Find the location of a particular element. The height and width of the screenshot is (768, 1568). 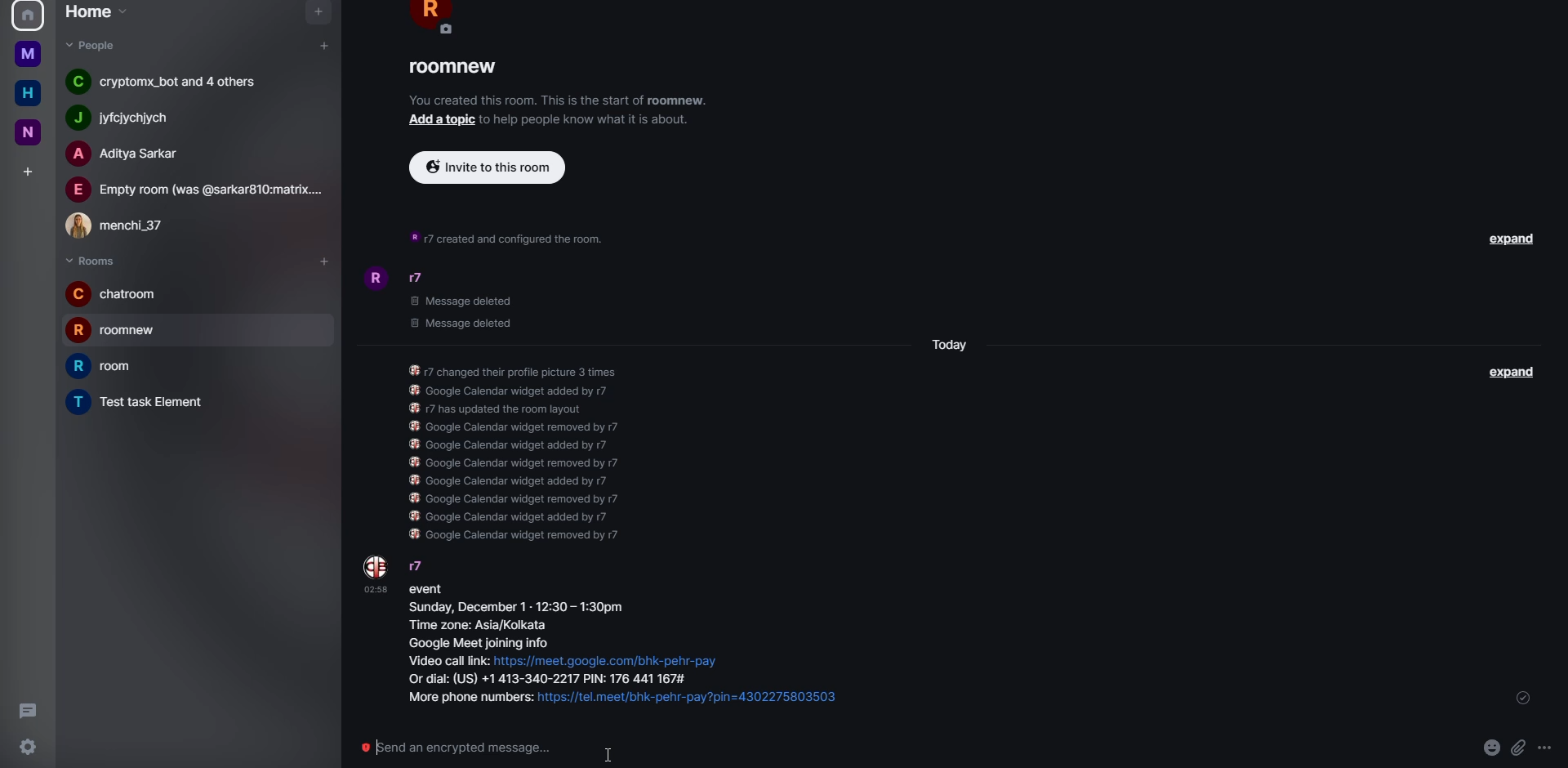

people is located at coordinates (174, 82).